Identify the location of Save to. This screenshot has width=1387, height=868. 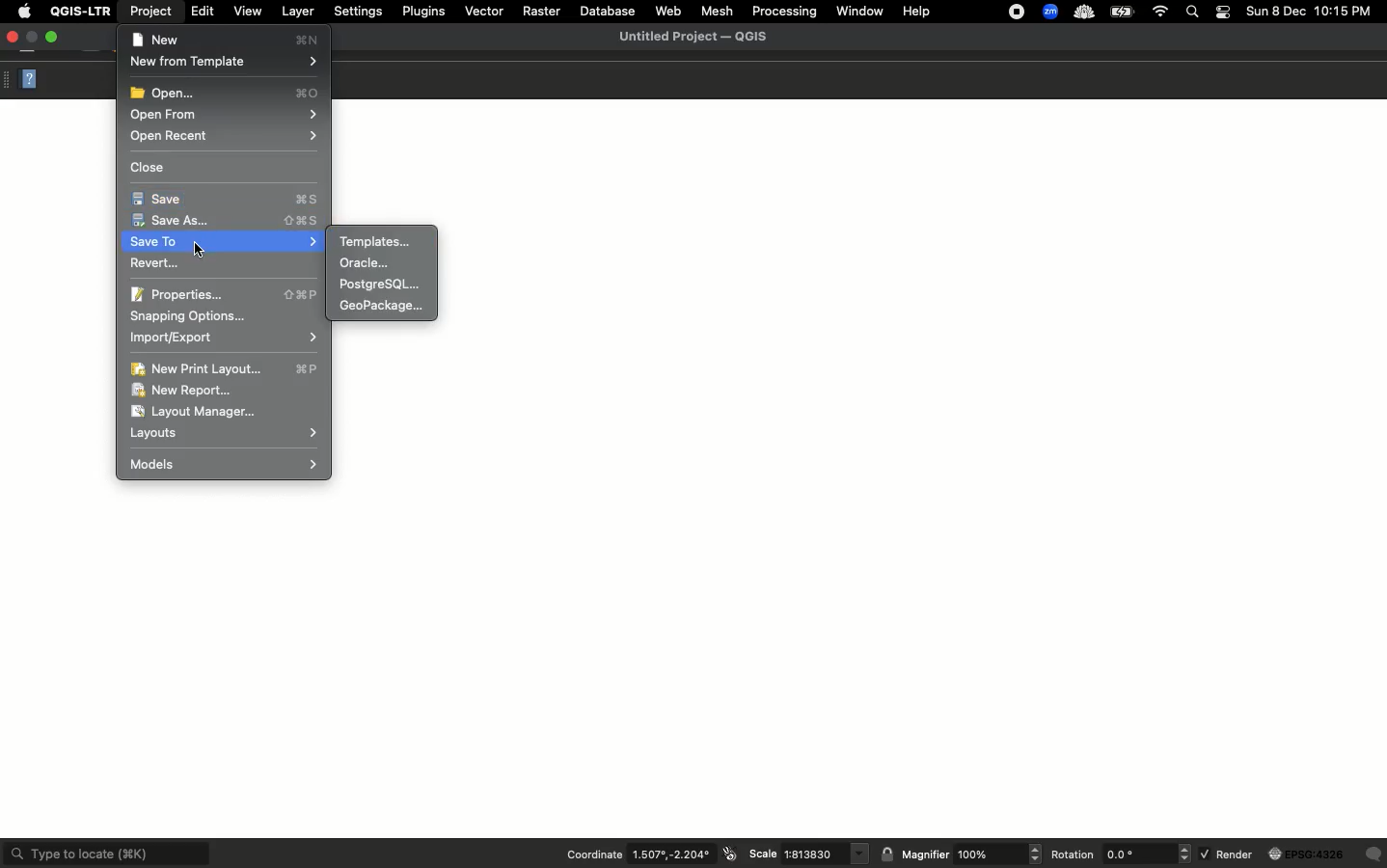
(224, 243).